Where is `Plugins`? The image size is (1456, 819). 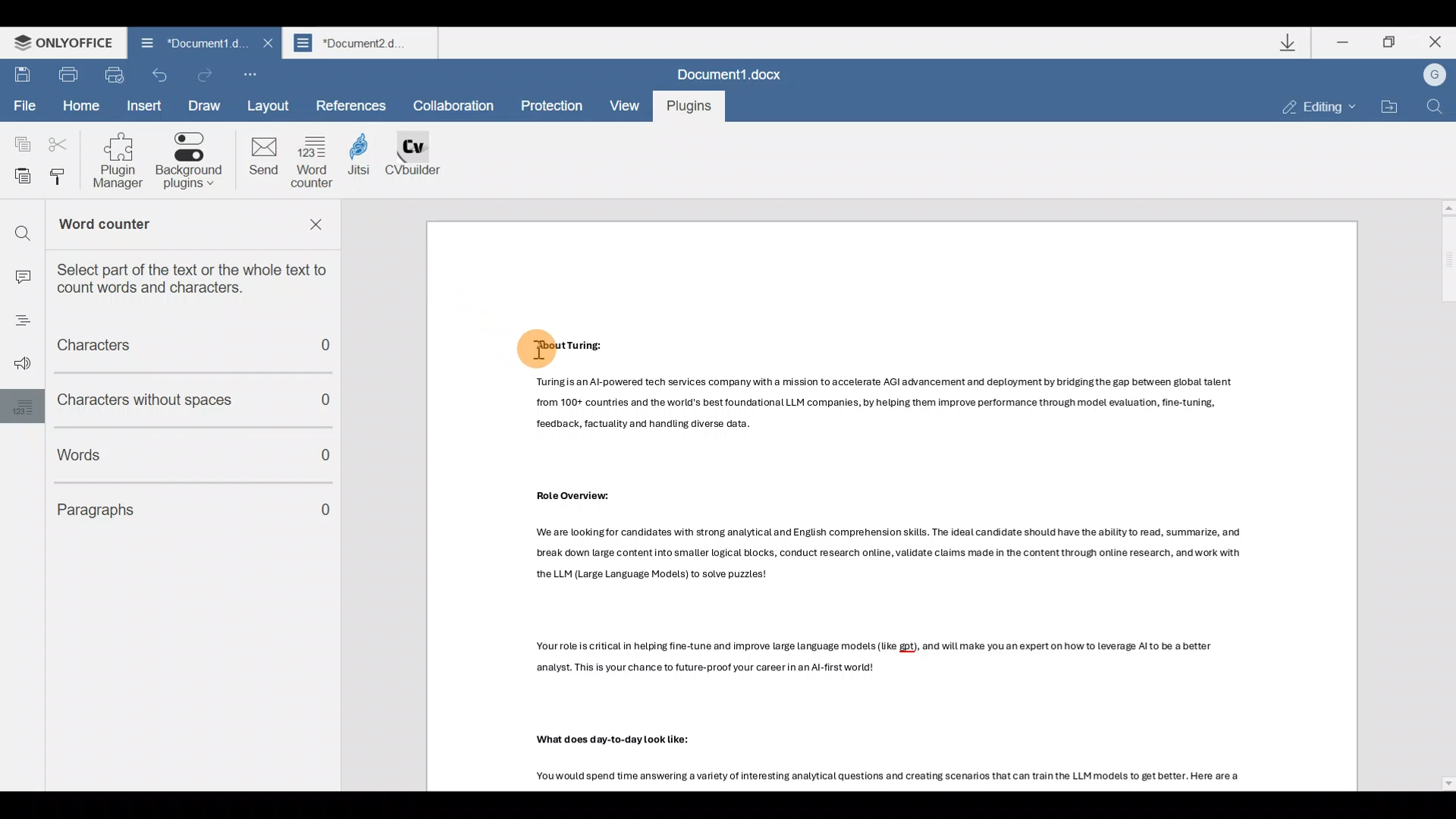 Plugins is located at coordinates (687, 107).